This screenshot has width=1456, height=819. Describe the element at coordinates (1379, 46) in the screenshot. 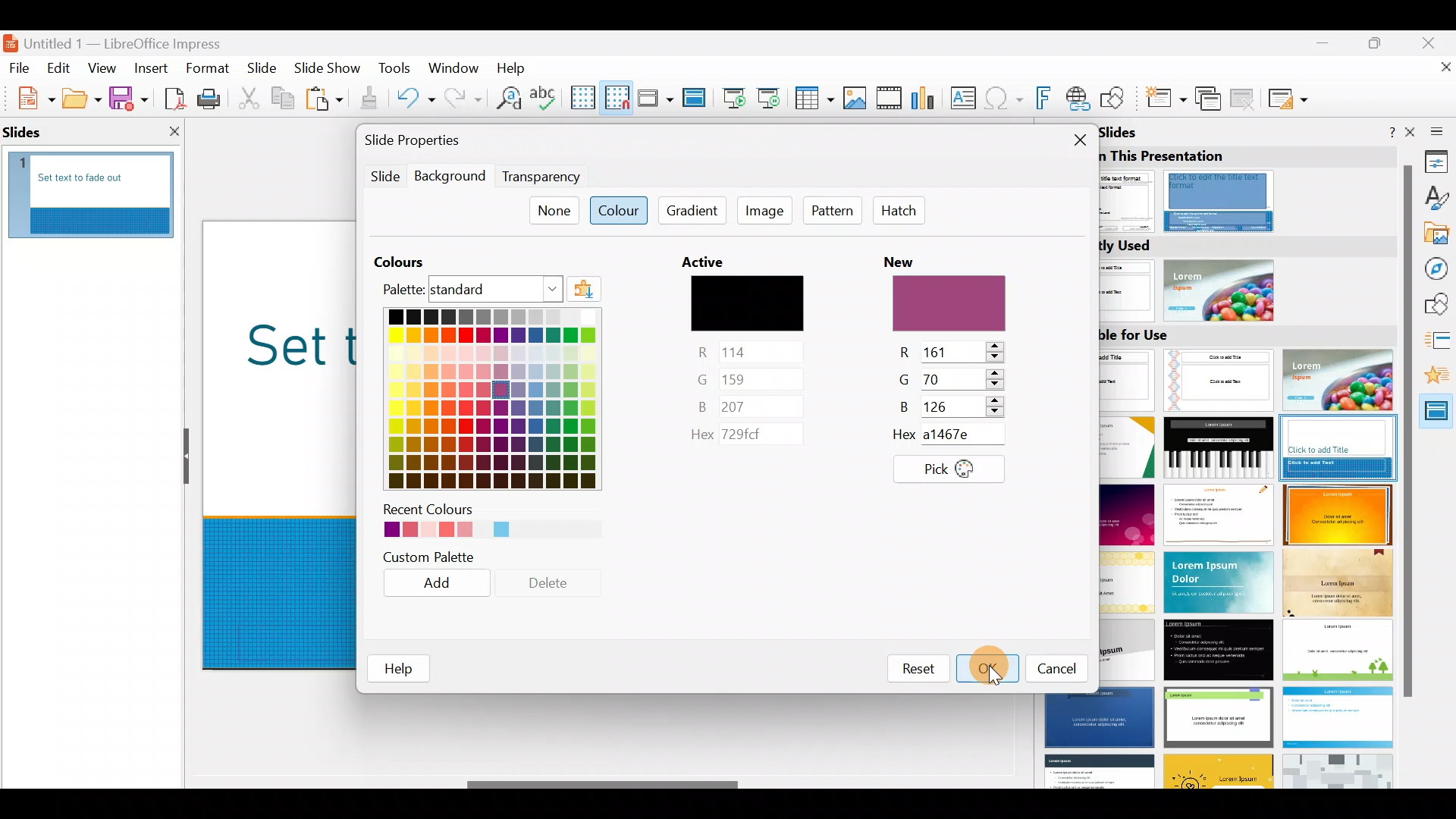

I see `Maximise` at that location.